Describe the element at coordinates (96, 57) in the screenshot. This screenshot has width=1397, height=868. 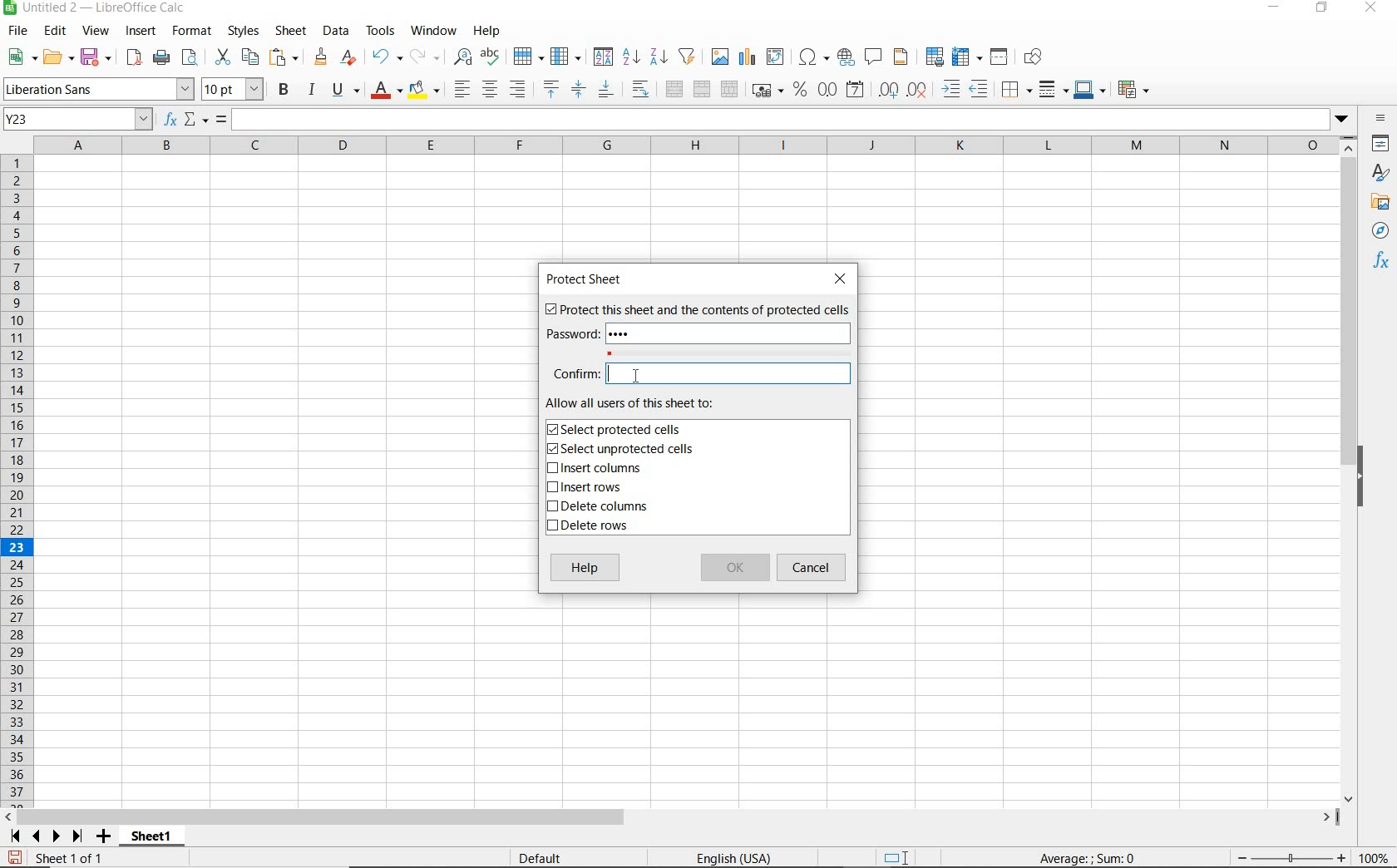
I see `SAVE` at that location.